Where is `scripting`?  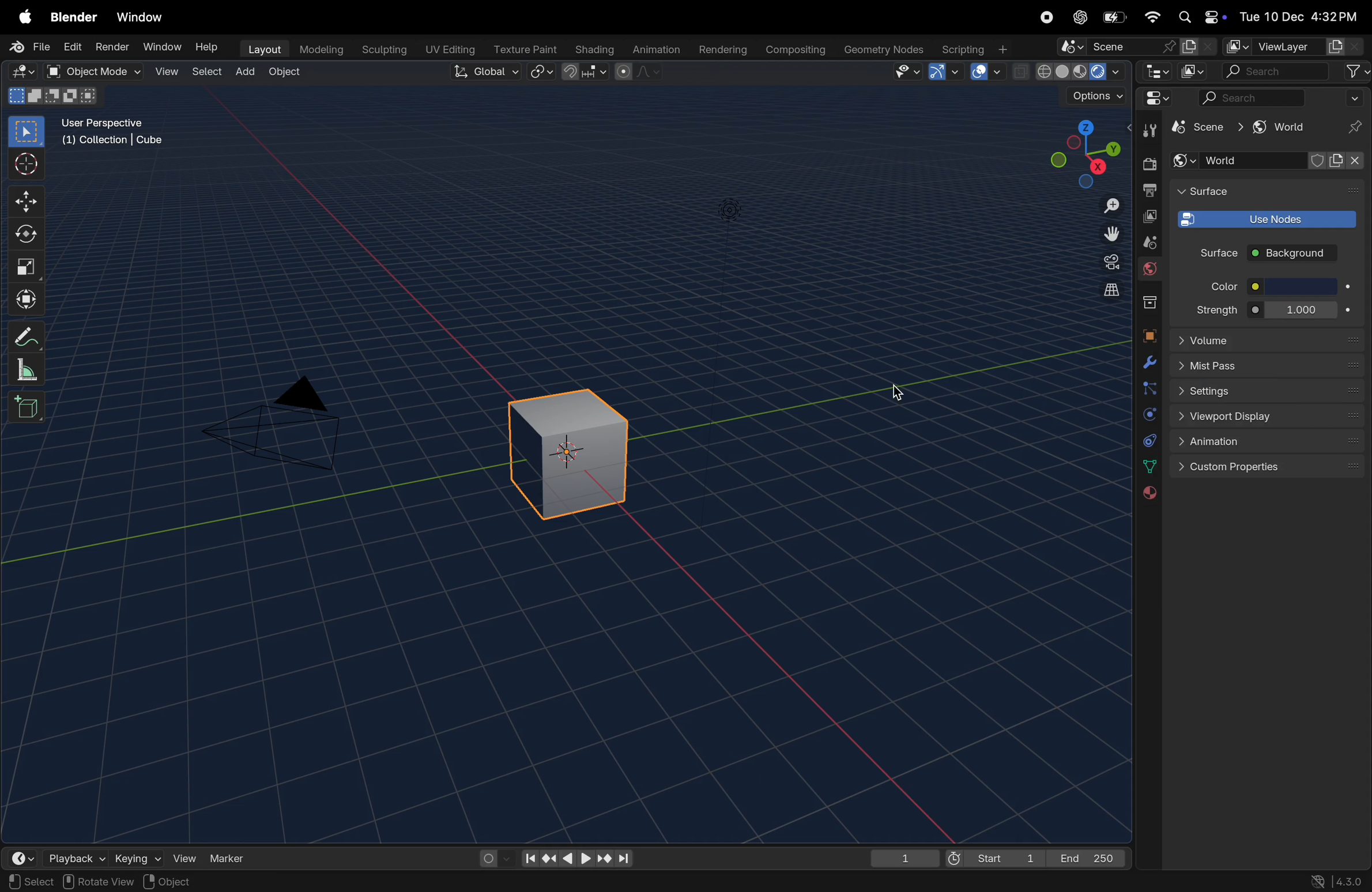 scripting is located at coordinates (977, 48).